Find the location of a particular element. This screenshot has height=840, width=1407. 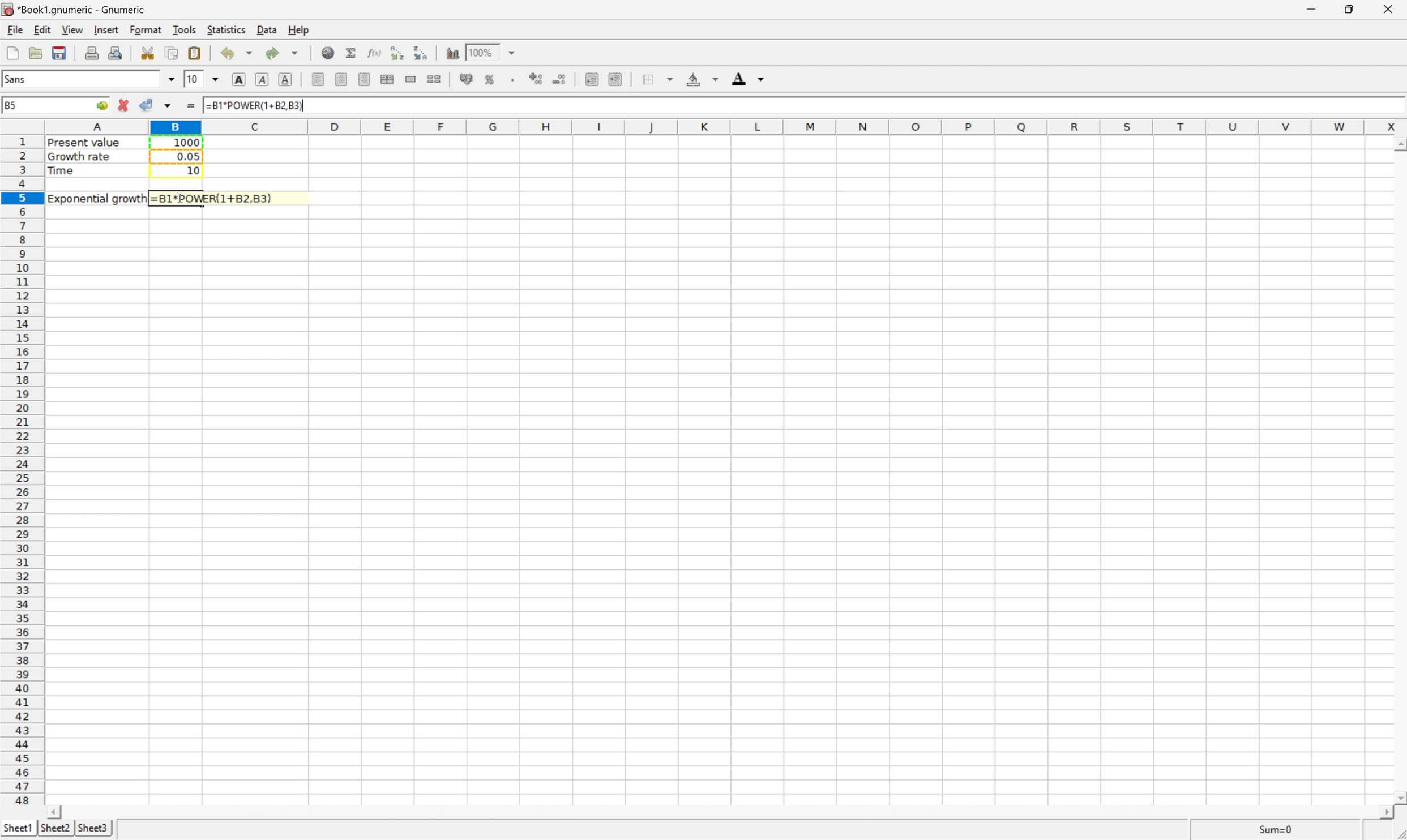

Center horizontally across selection is located at coordinates (387, 79).